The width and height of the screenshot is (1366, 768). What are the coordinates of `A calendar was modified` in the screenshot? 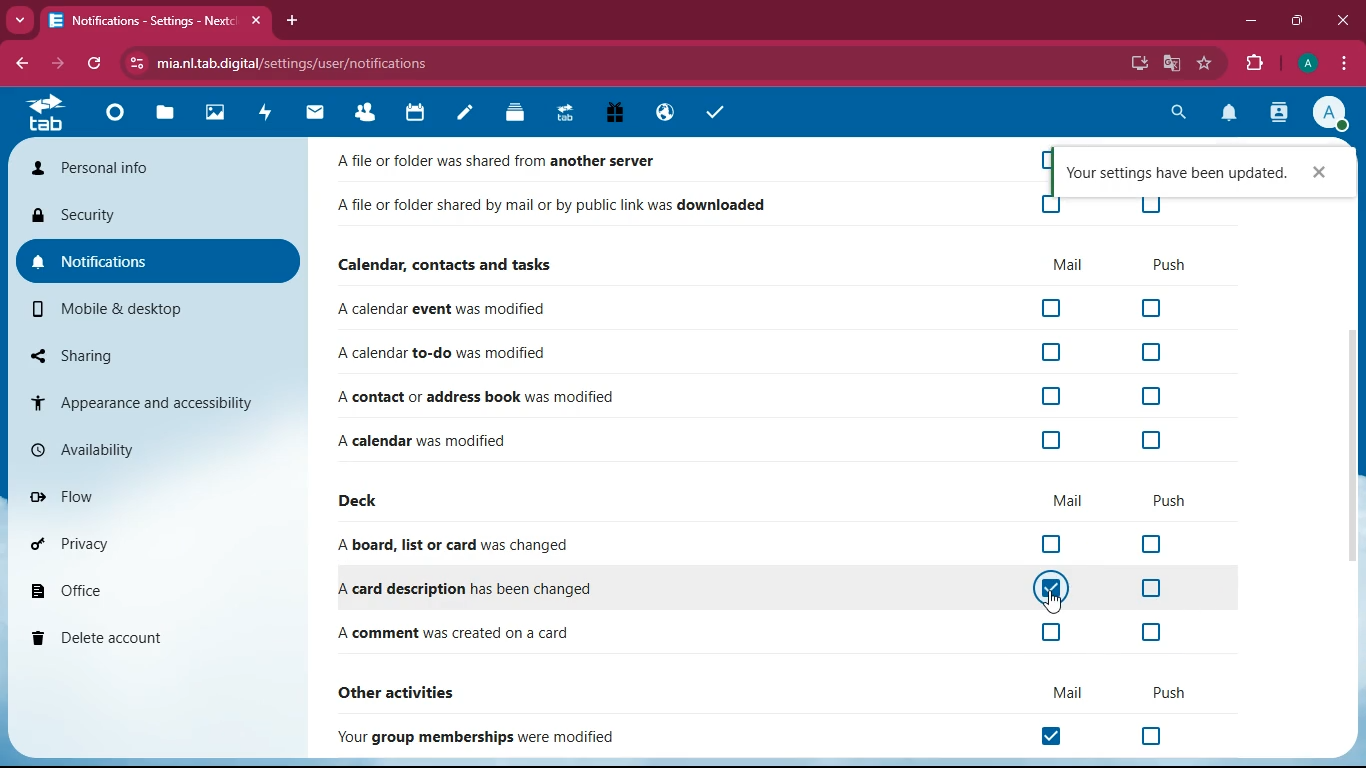 It's located at (445, 438).